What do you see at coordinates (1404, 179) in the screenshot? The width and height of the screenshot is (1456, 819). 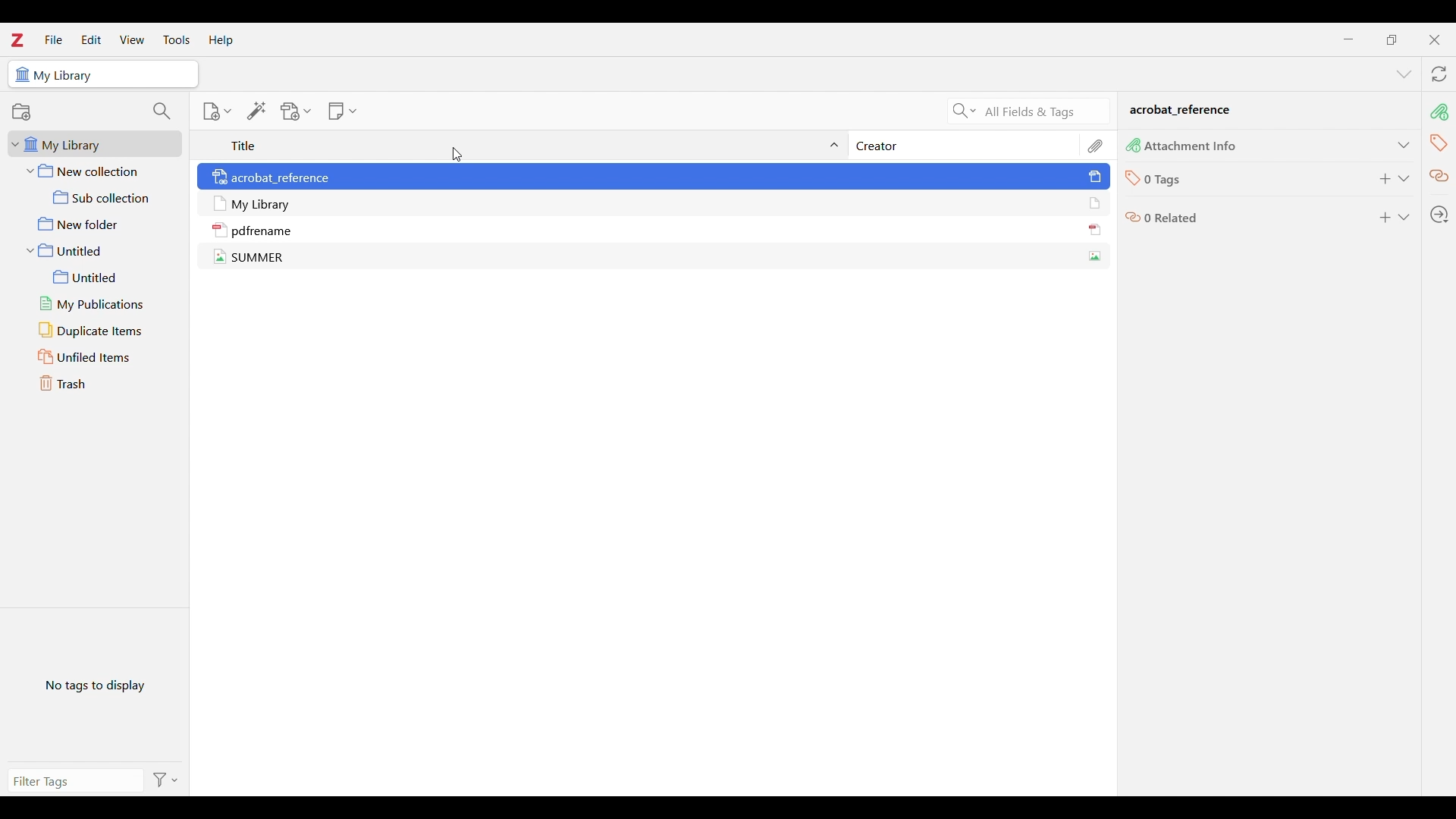 I see `Expand tags` at bounding box center [1404, 179].